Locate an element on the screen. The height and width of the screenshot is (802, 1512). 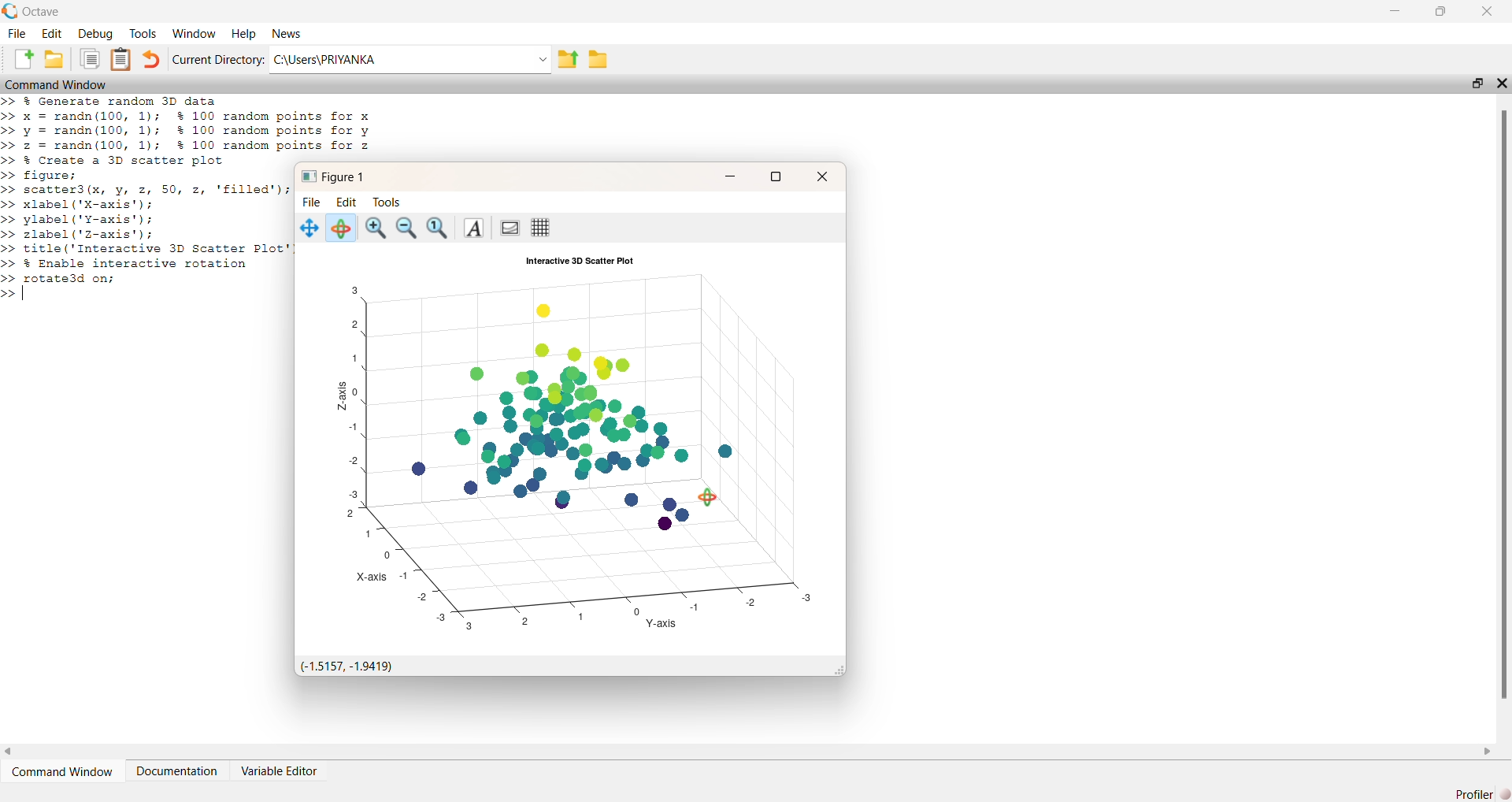
Tools is located at coordinates (143, 34).